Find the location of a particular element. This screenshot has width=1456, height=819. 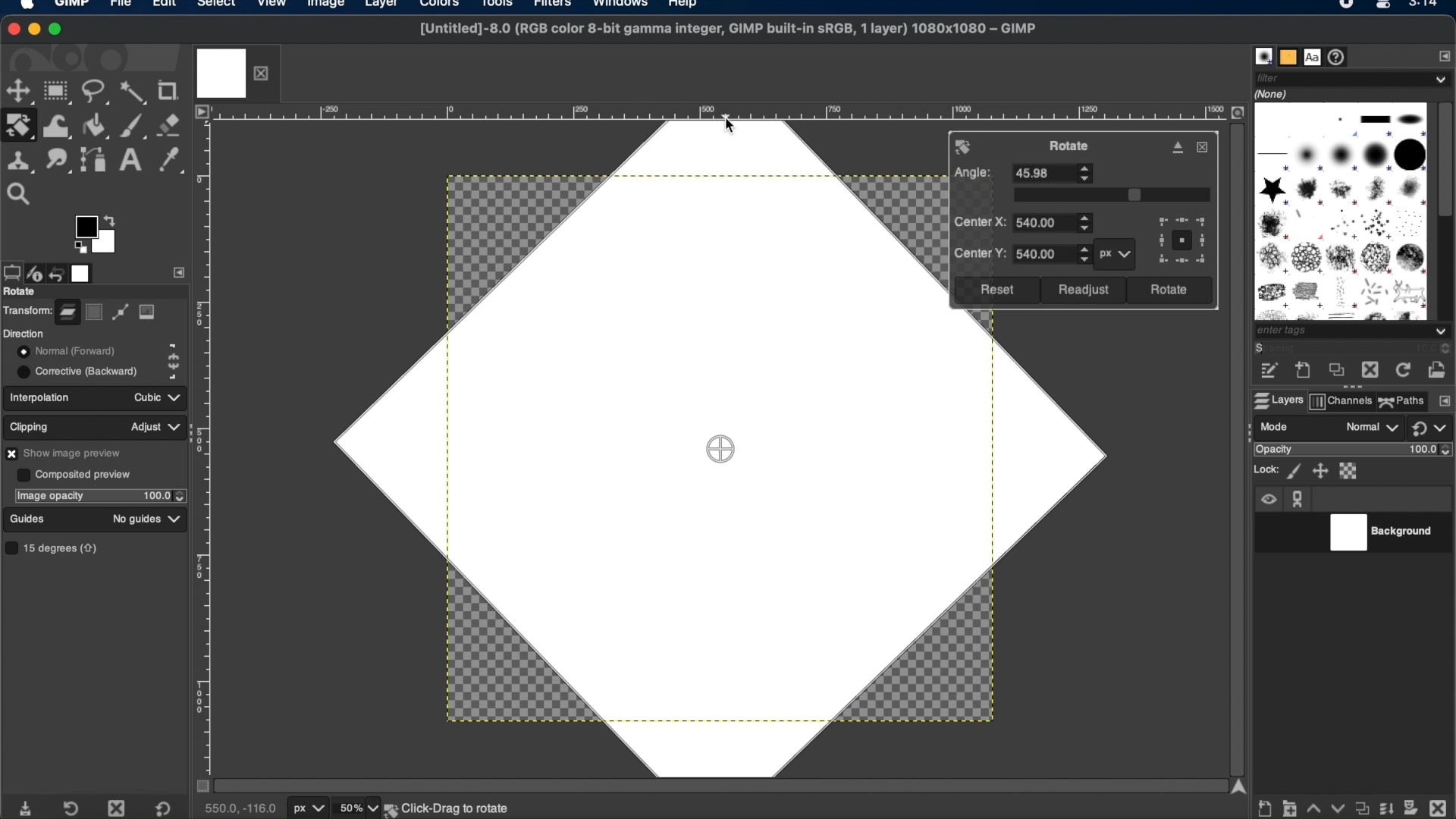

layers is located at coordinates (1276, 400).